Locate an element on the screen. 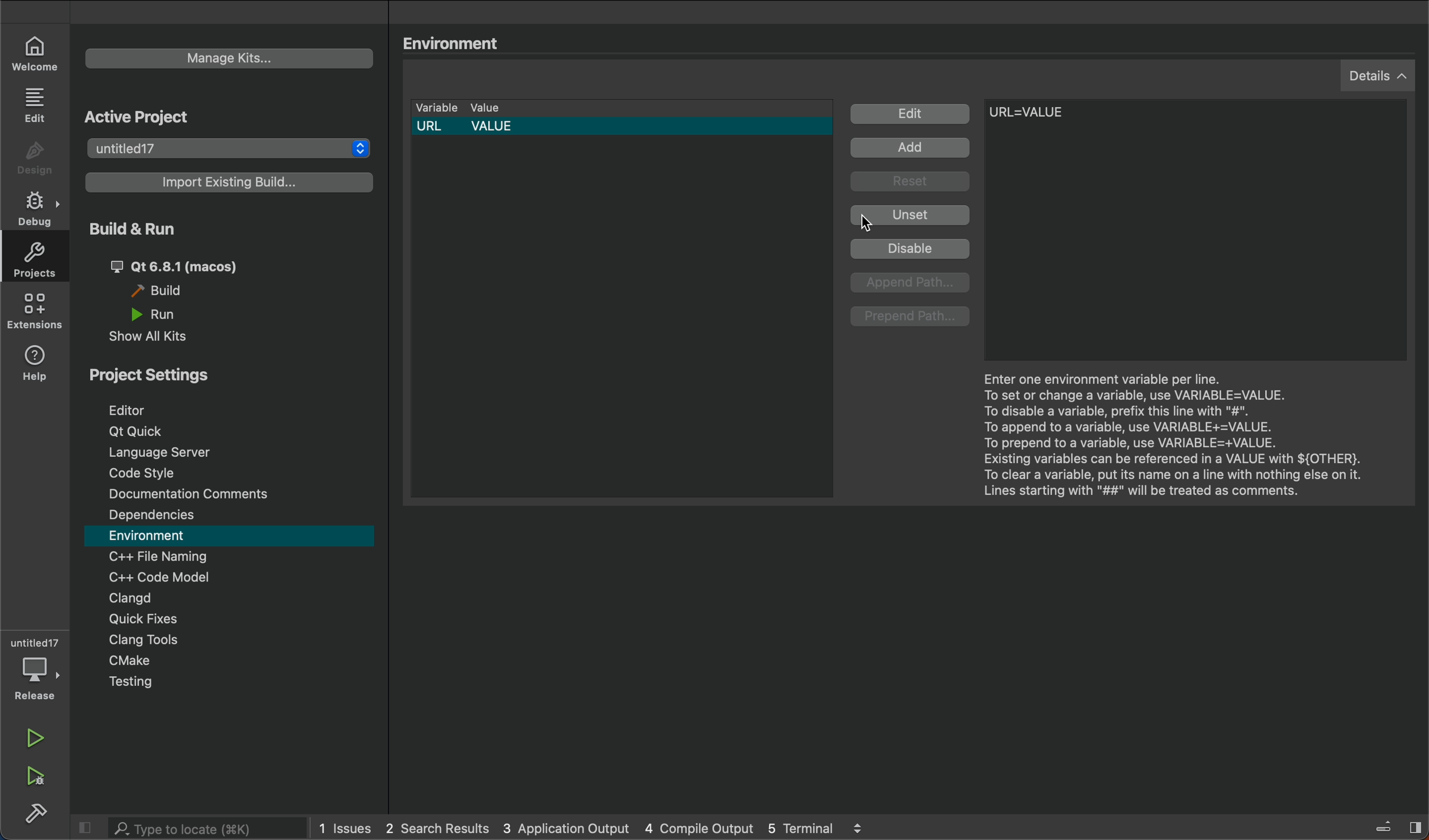  debug is located at coordinates (37, 206).